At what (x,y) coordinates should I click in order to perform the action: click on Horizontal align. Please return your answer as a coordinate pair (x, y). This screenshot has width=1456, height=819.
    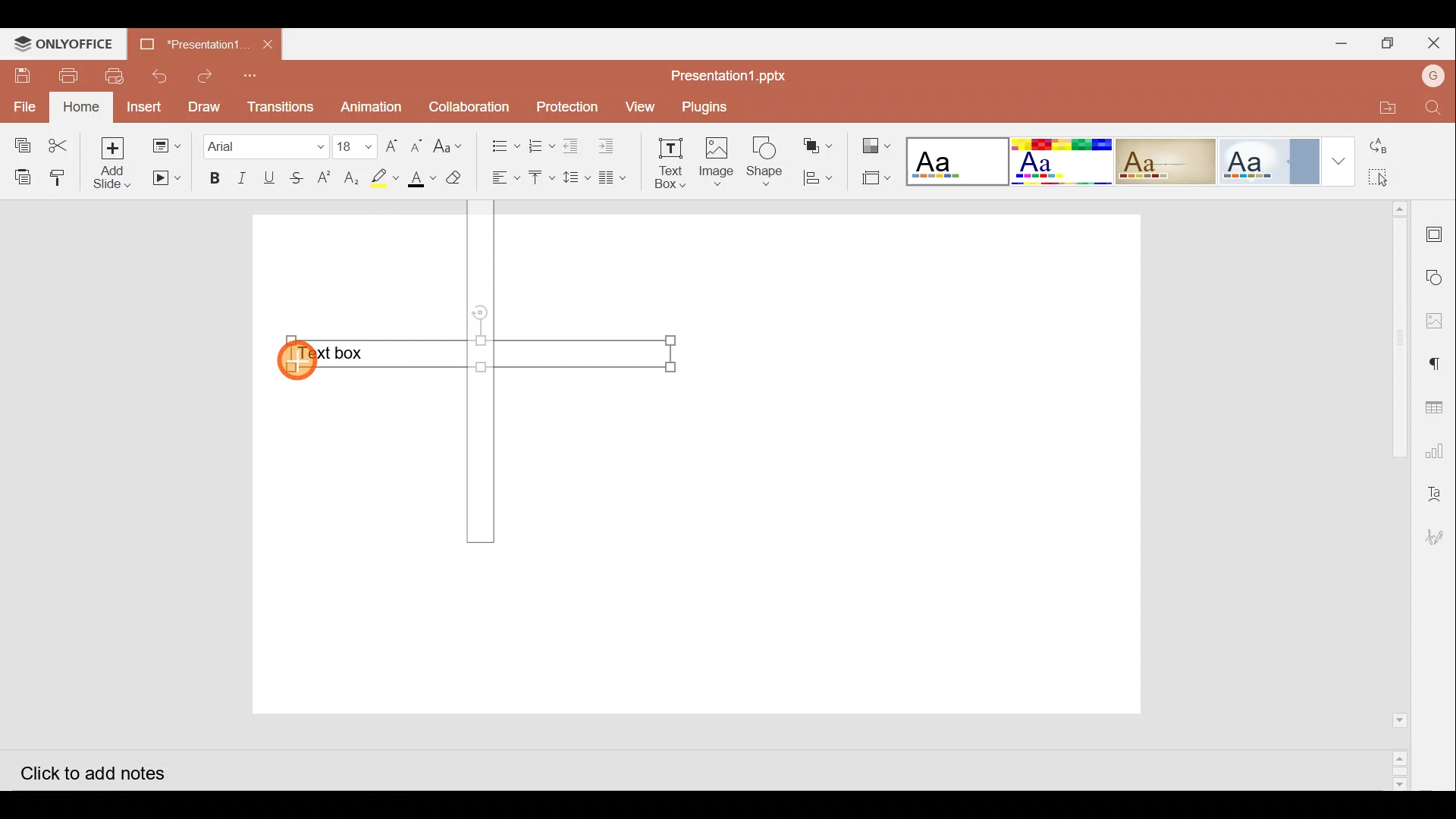
    Looking at the image, I should click on (504, 178).